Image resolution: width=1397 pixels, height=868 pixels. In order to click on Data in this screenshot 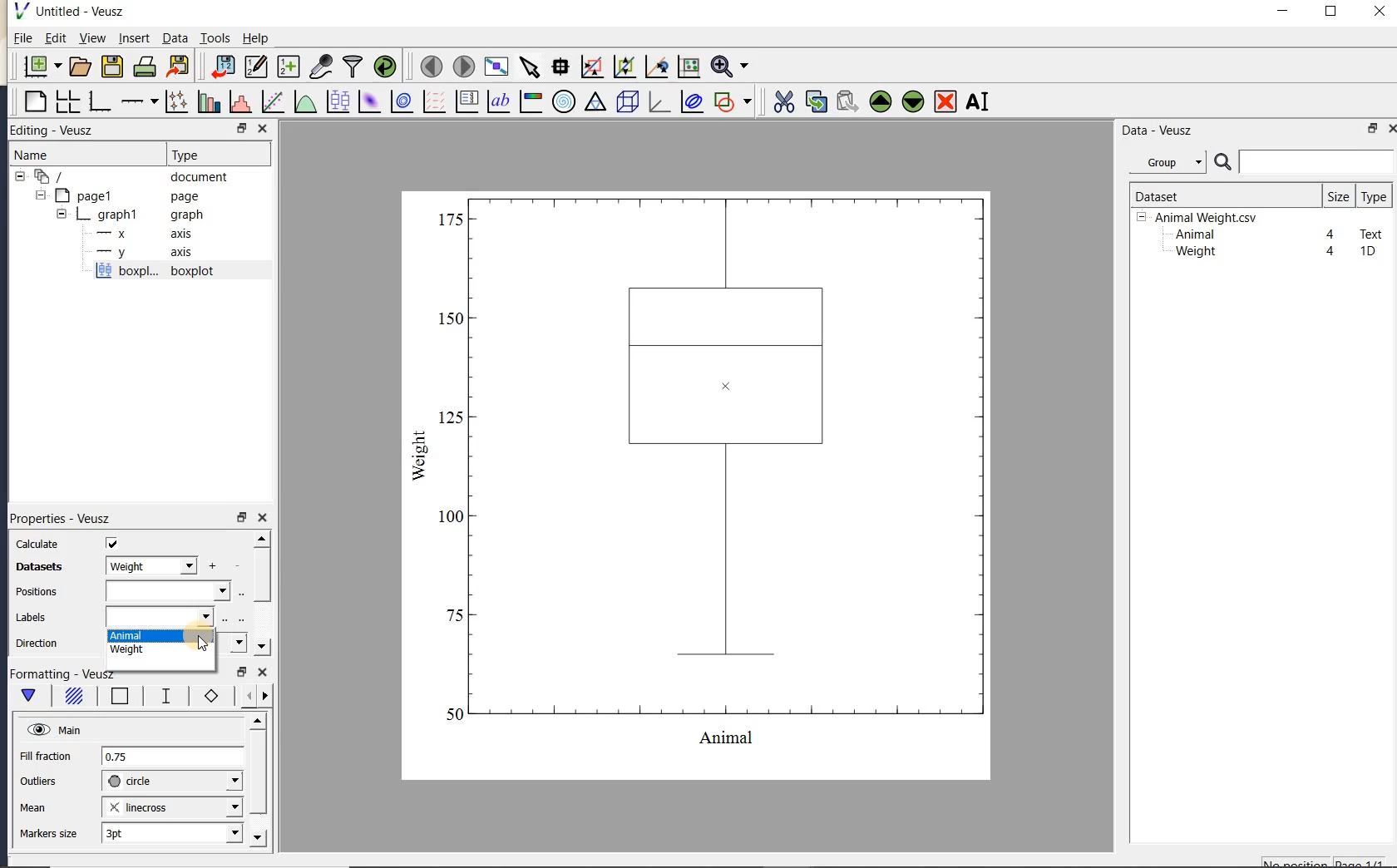, I will do `click(175, 37)`.